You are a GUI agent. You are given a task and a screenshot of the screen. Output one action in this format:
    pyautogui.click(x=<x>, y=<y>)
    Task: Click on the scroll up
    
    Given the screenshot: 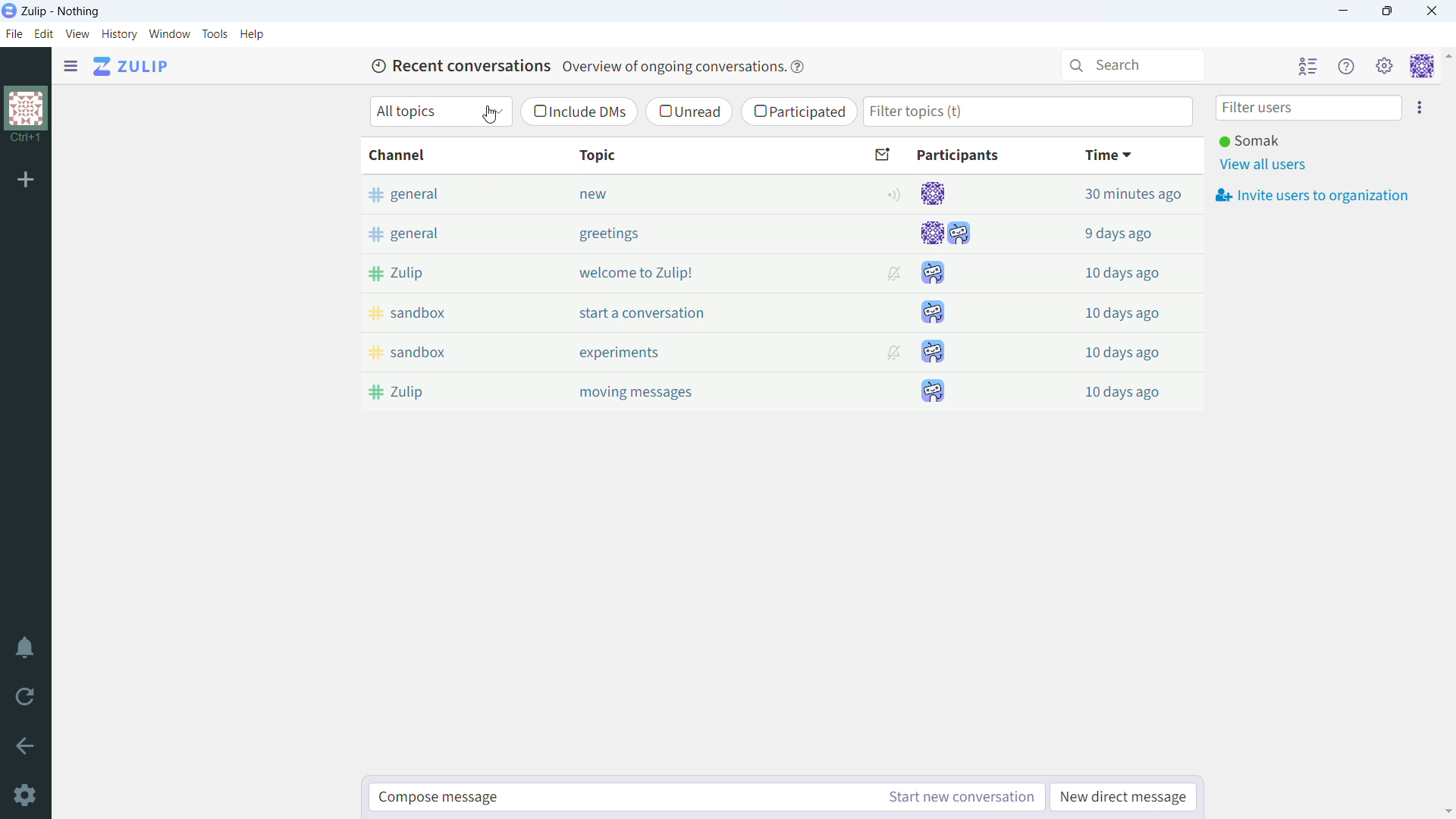 What is the action you would take?
    pyautogui.click(x=1447, y=55)
    